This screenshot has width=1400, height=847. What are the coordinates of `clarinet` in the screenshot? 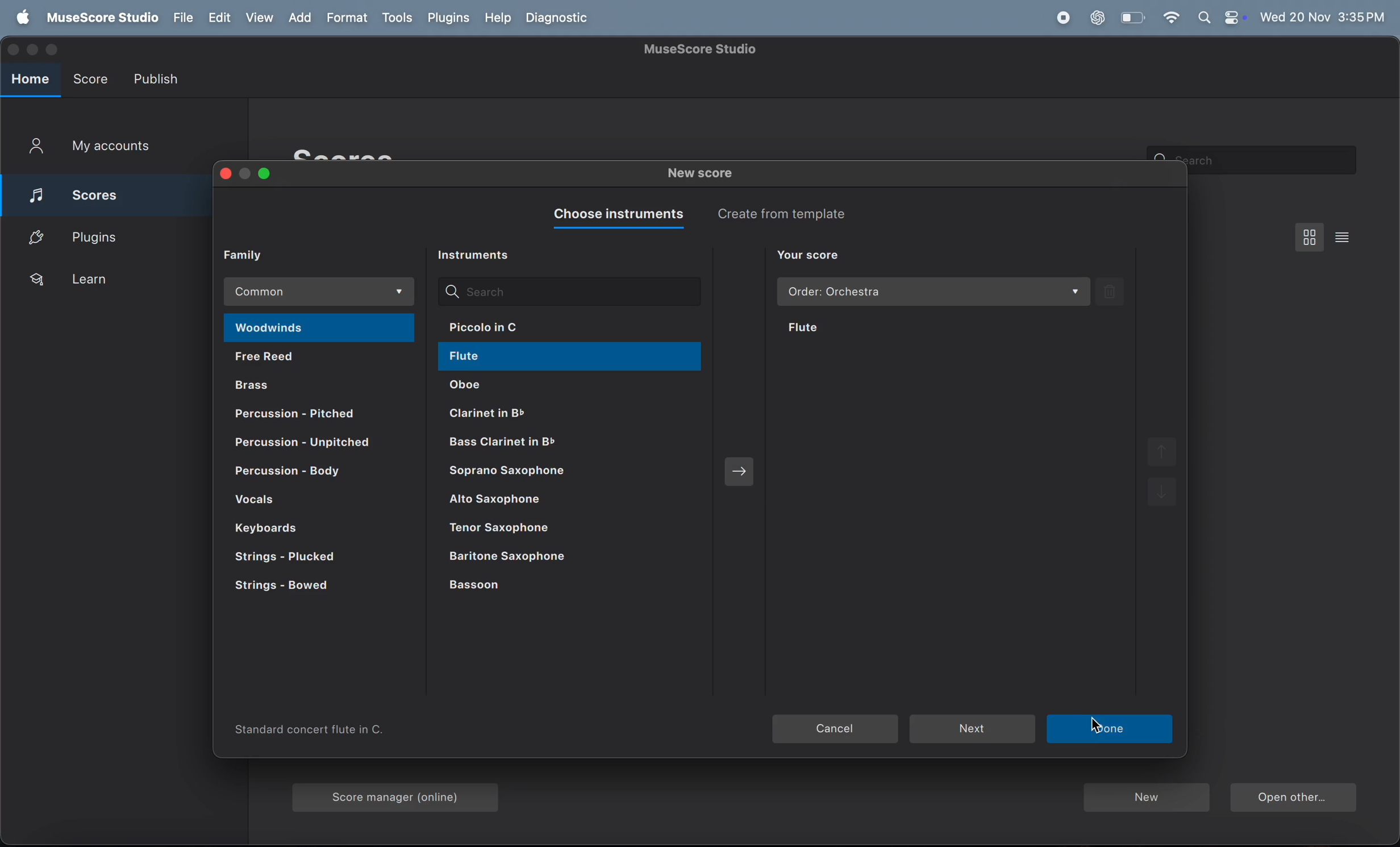 It's located at (552, 443).